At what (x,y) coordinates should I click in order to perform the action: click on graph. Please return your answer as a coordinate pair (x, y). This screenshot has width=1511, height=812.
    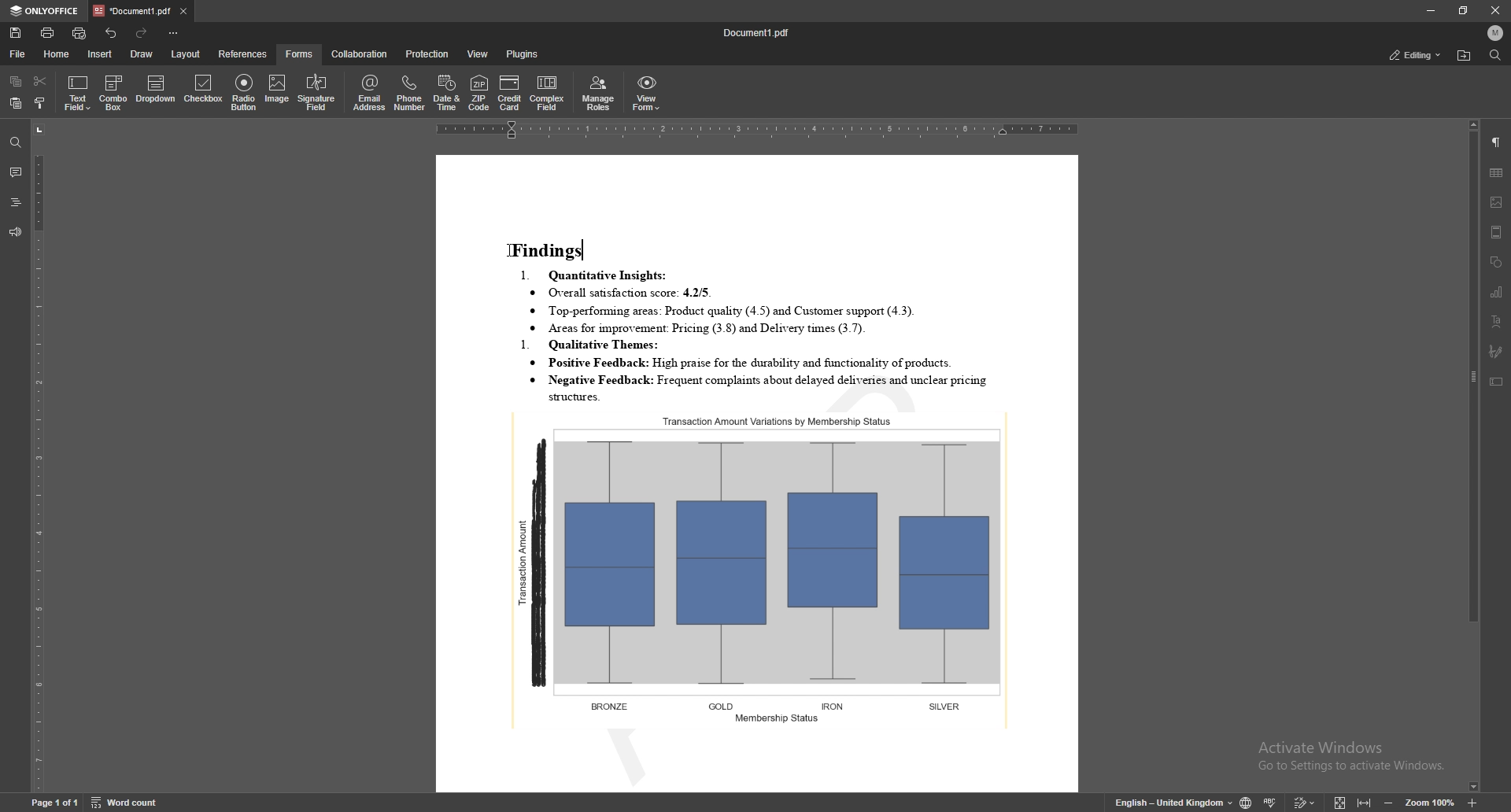
    Looking at the image, I should click on (763, 567).